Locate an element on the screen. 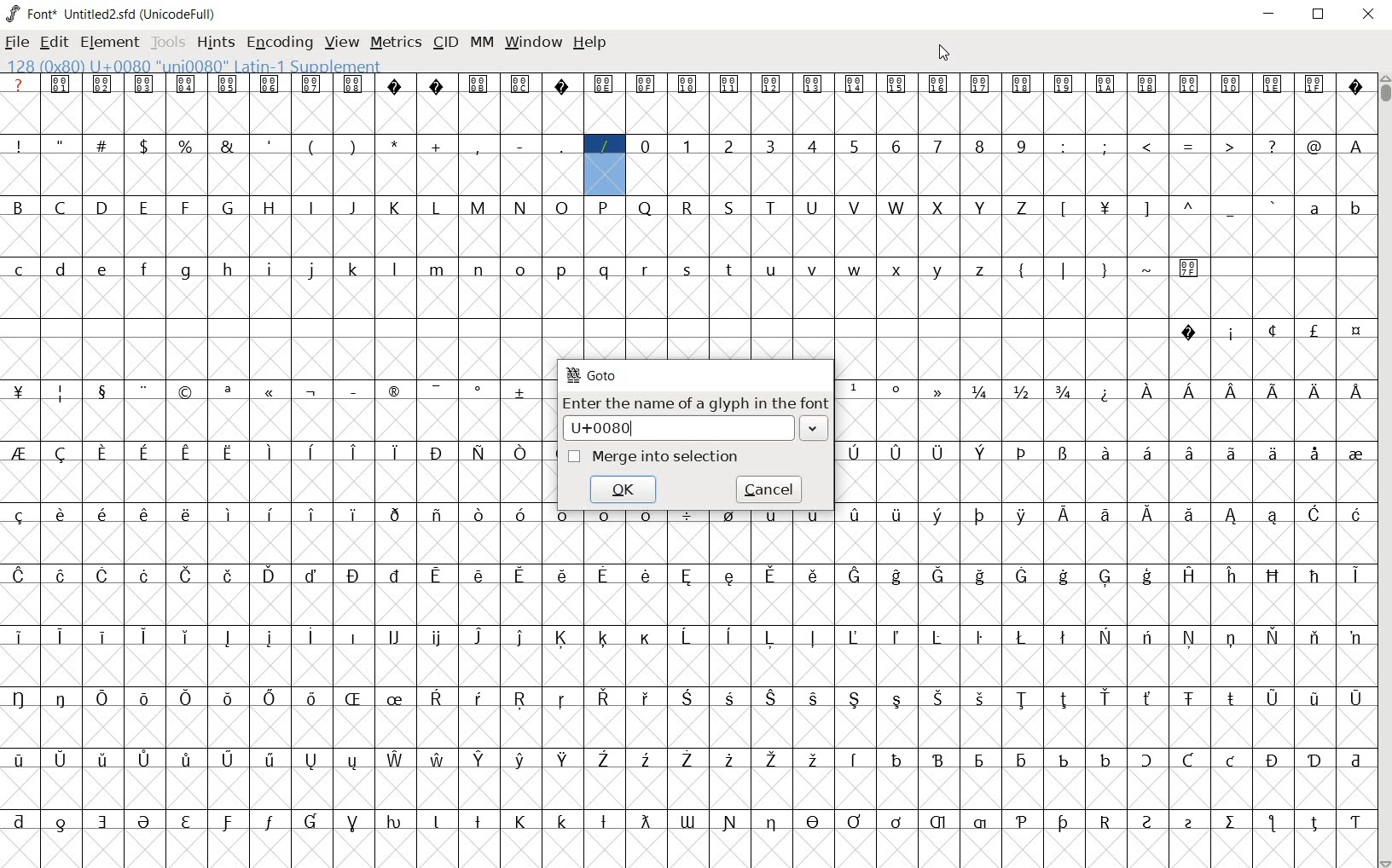  glyph is located at coordinates (1231, 639).